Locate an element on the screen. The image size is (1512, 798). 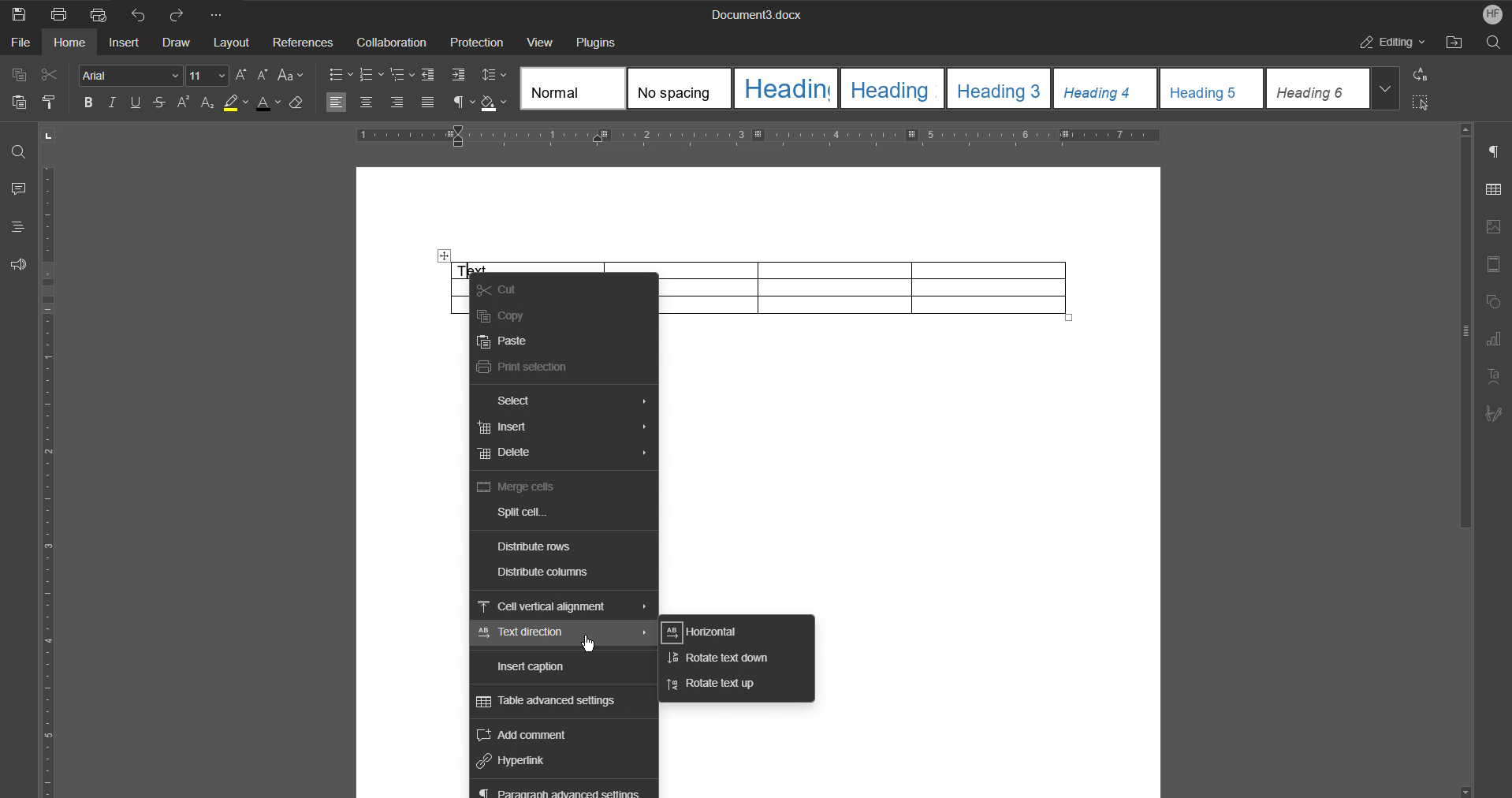
Draw is located at coordinates (177, 42).